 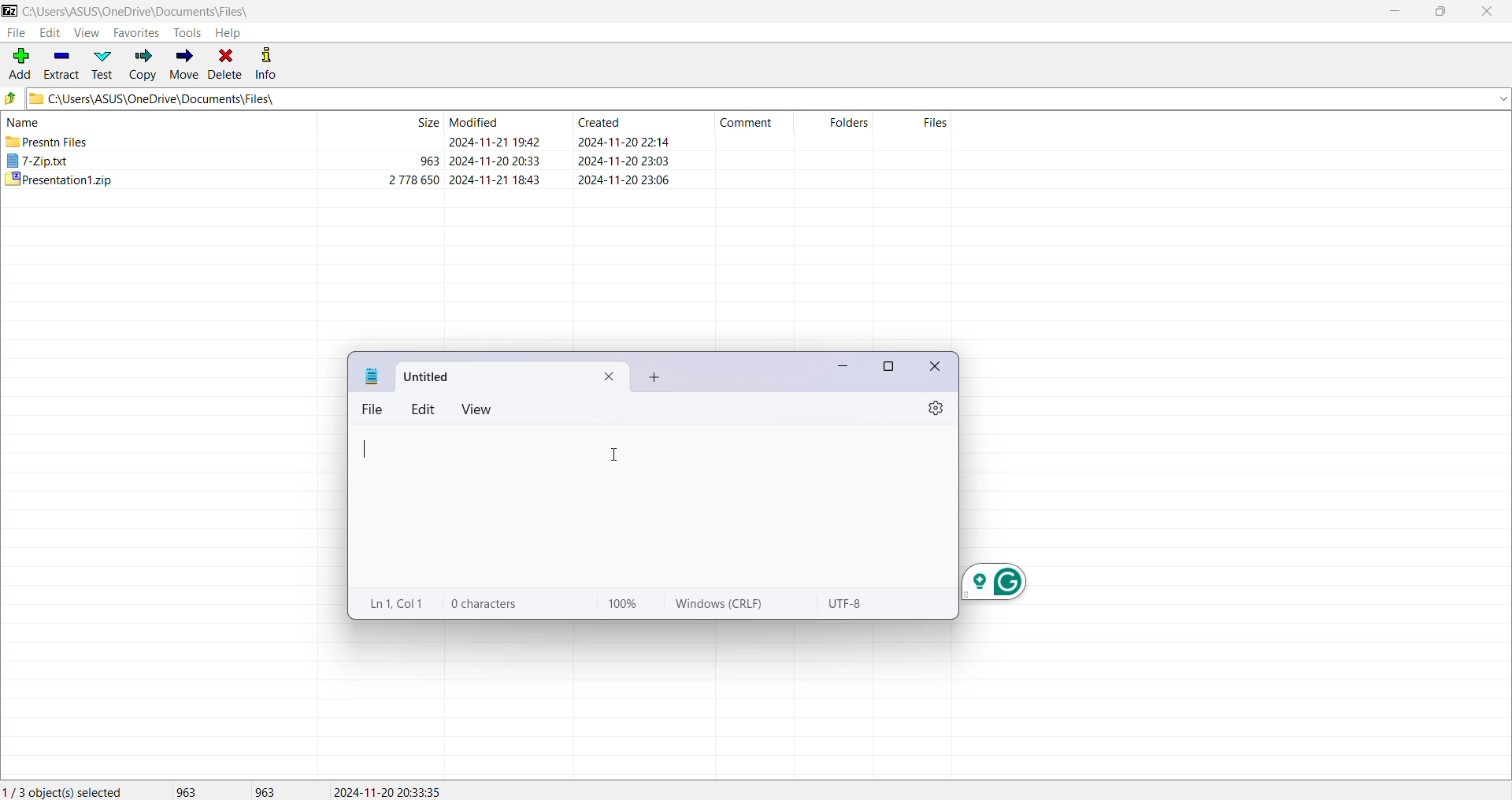 I want to click on Add, so click(x=18, y=64).